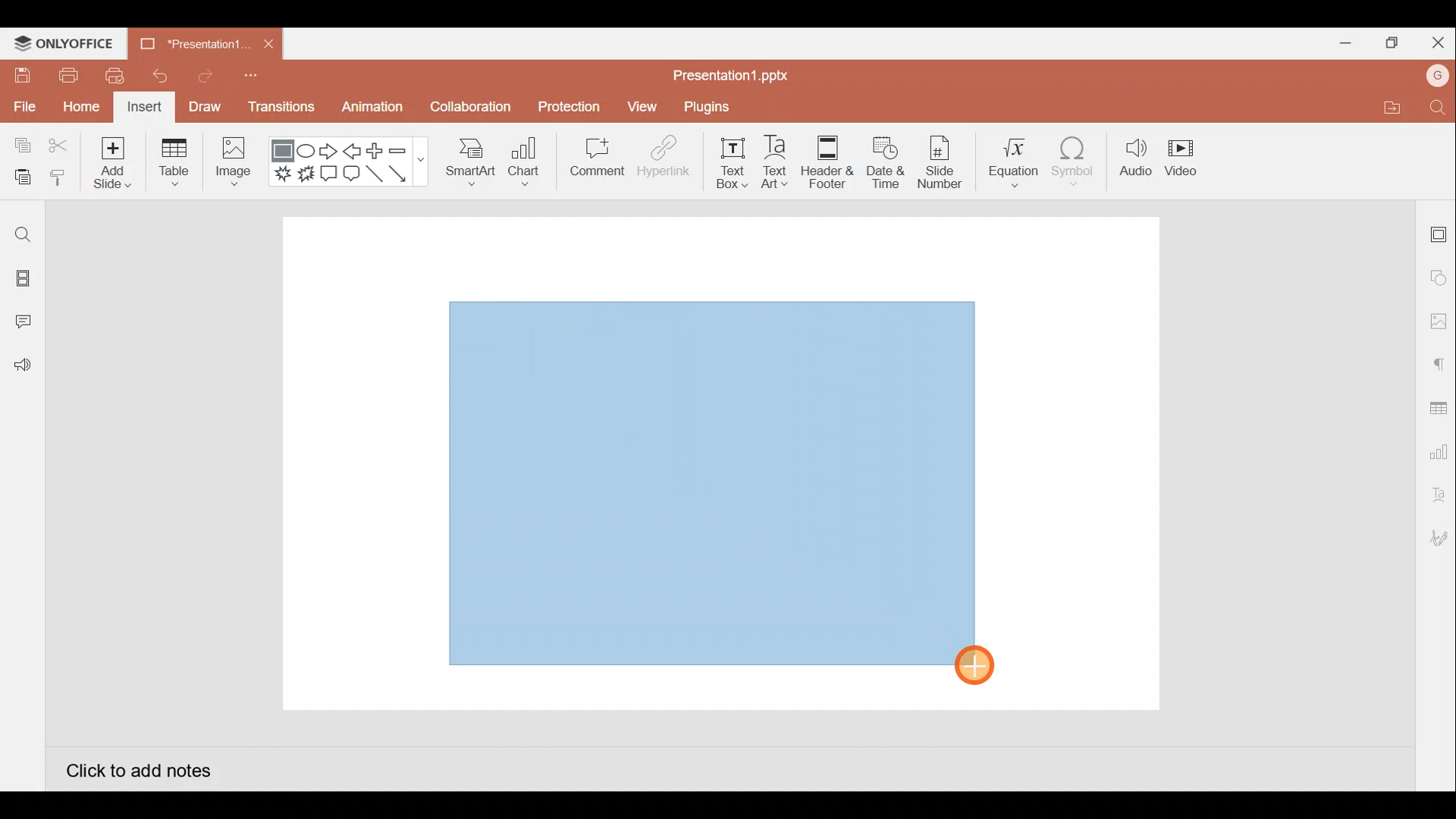 This screenshot has width=1456, height=819. I want to click on Image settings, so click(1439, 322).